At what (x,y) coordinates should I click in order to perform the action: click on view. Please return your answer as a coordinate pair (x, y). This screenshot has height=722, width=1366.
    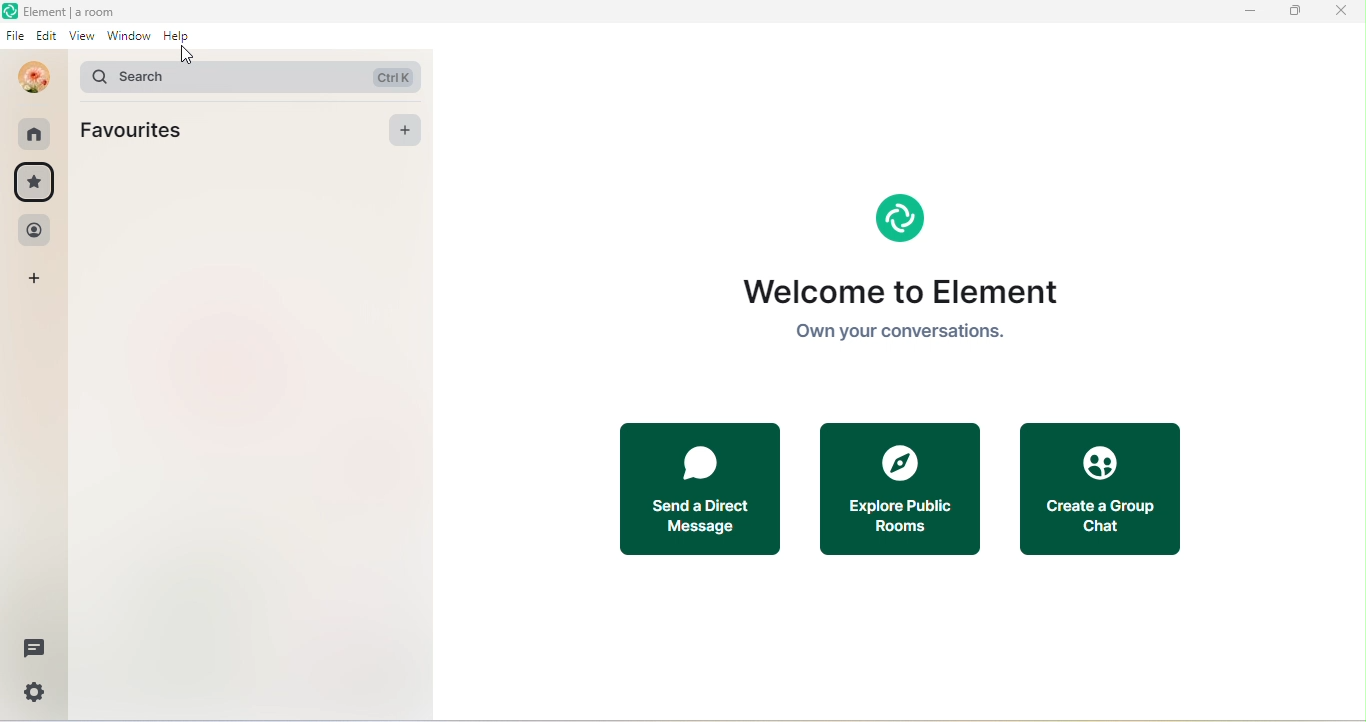
    Looking at the image, I should click on (79, 37).